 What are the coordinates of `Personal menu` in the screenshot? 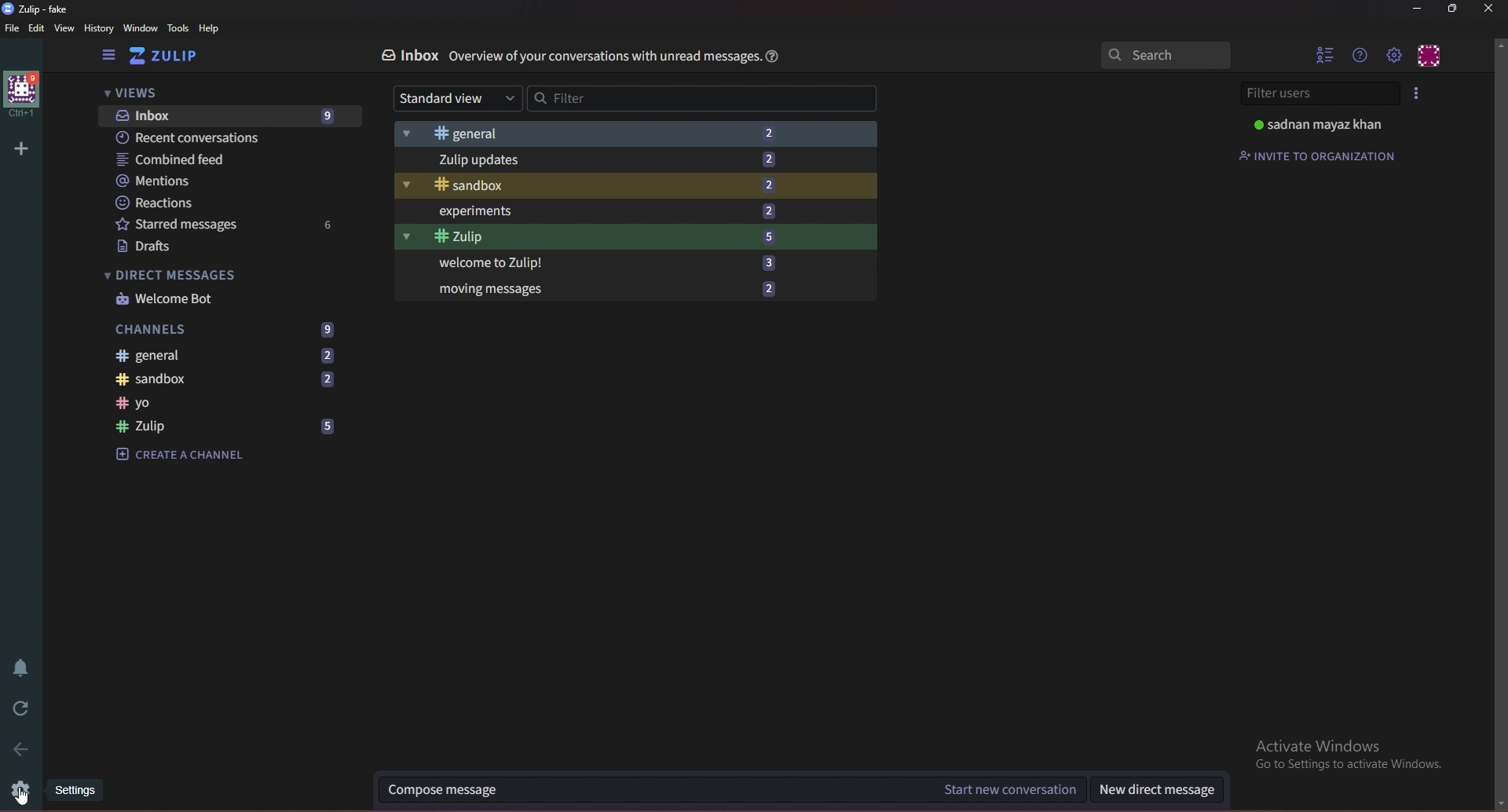 It's located at (1429, 54).